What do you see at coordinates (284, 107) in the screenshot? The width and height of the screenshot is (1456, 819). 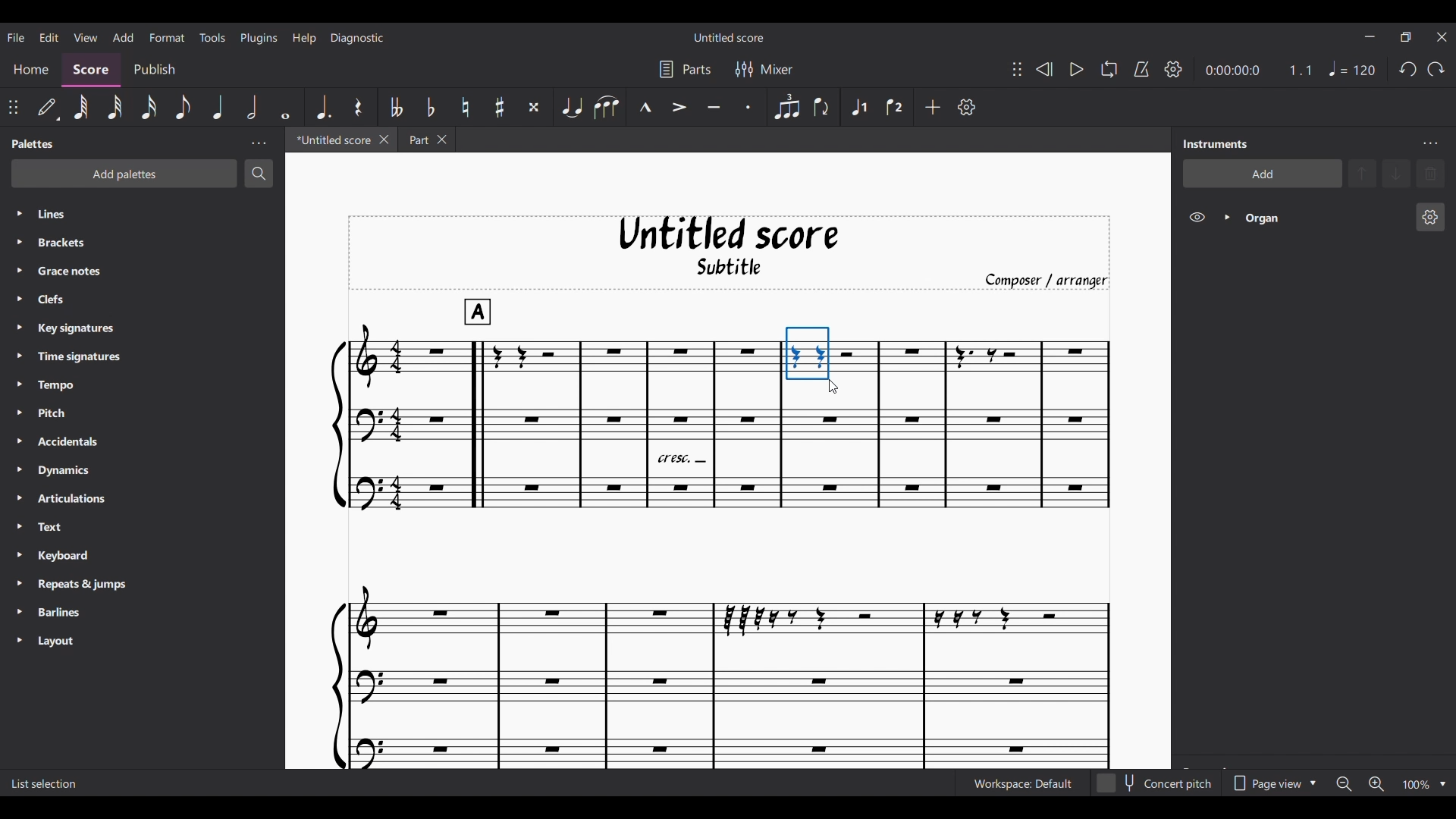 I see `Whole note` at bounding box center [284, 107].